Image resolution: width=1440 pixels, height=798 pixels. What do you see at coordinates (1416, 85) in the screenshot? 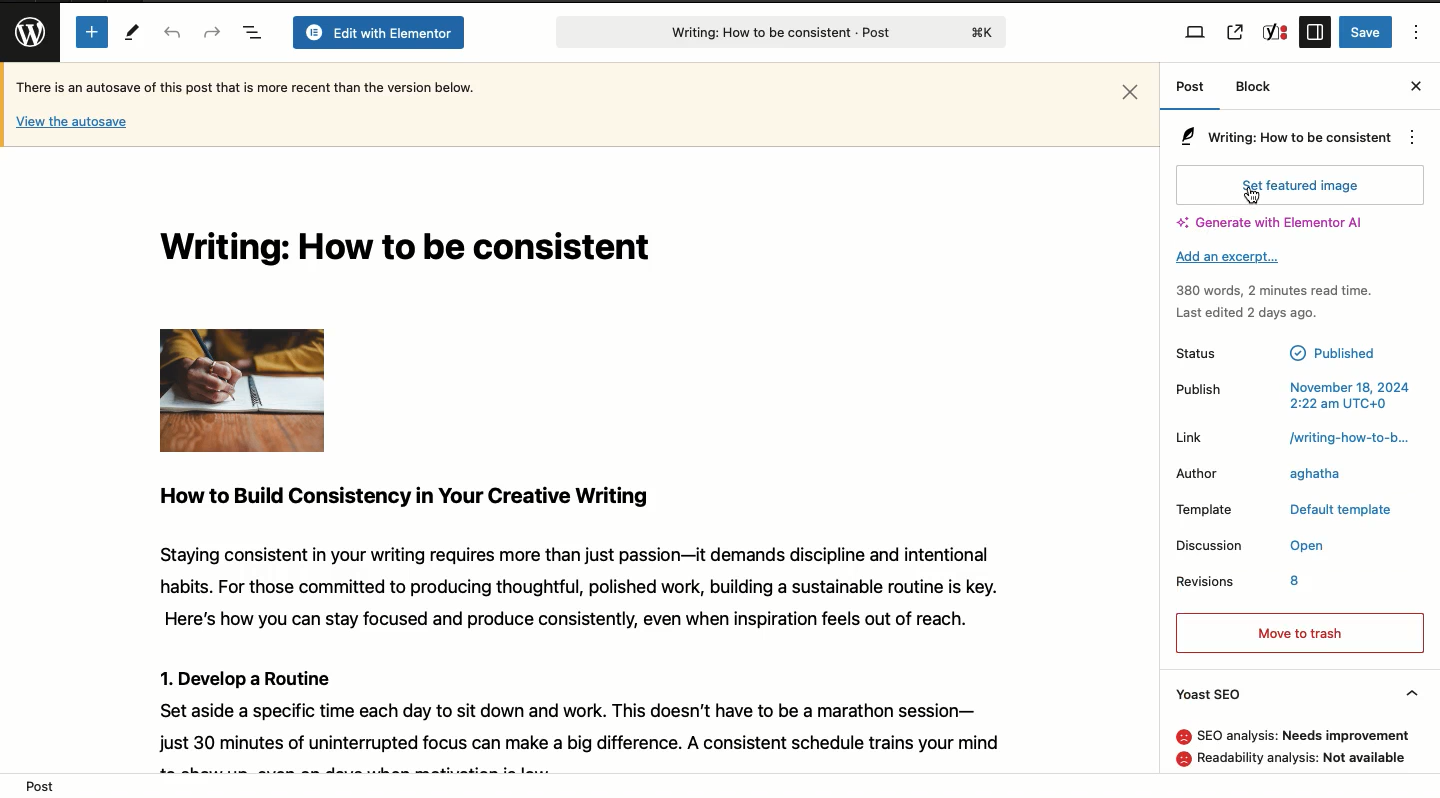
I see `Close` at bounding box center [1416, 85].